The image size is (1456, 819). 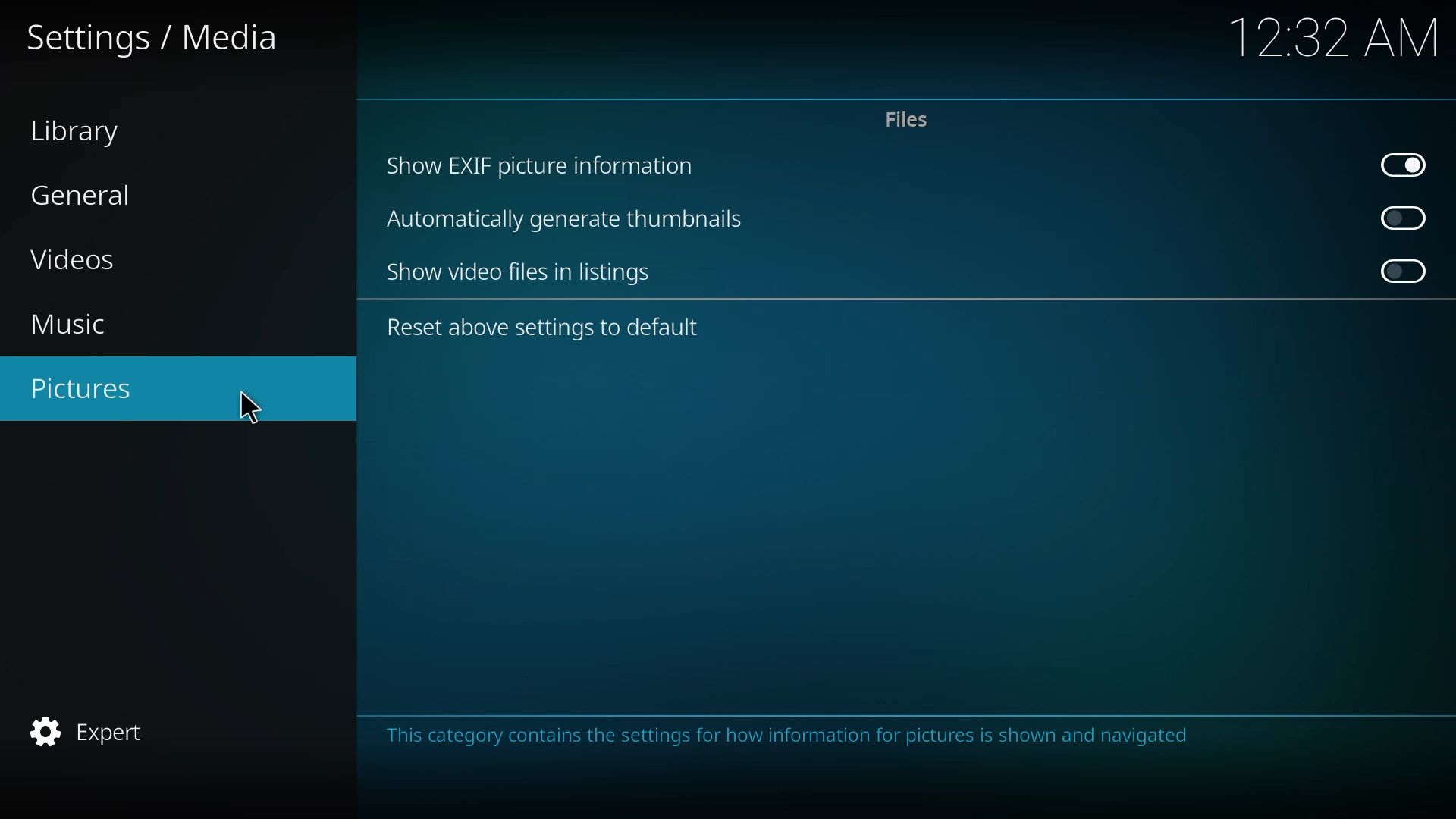 I want to click on info, so click(x=801, y=736).